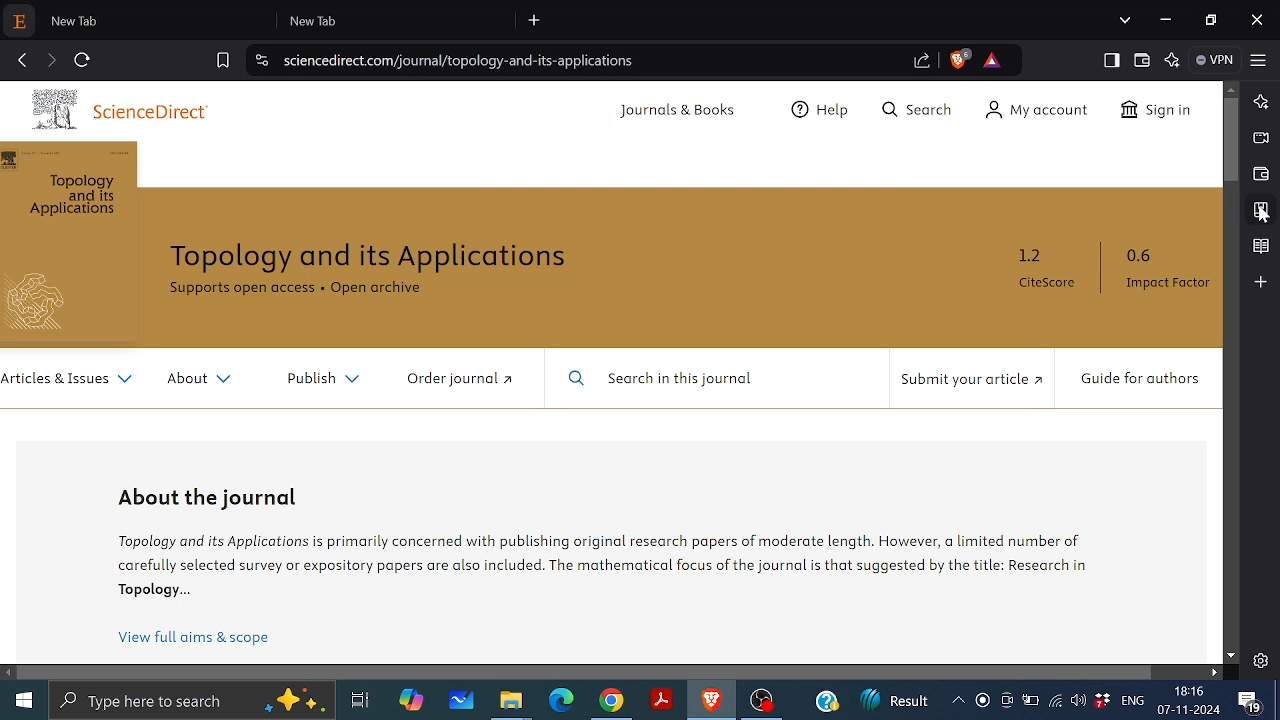  I want to click on Move left, so click(9, 673).